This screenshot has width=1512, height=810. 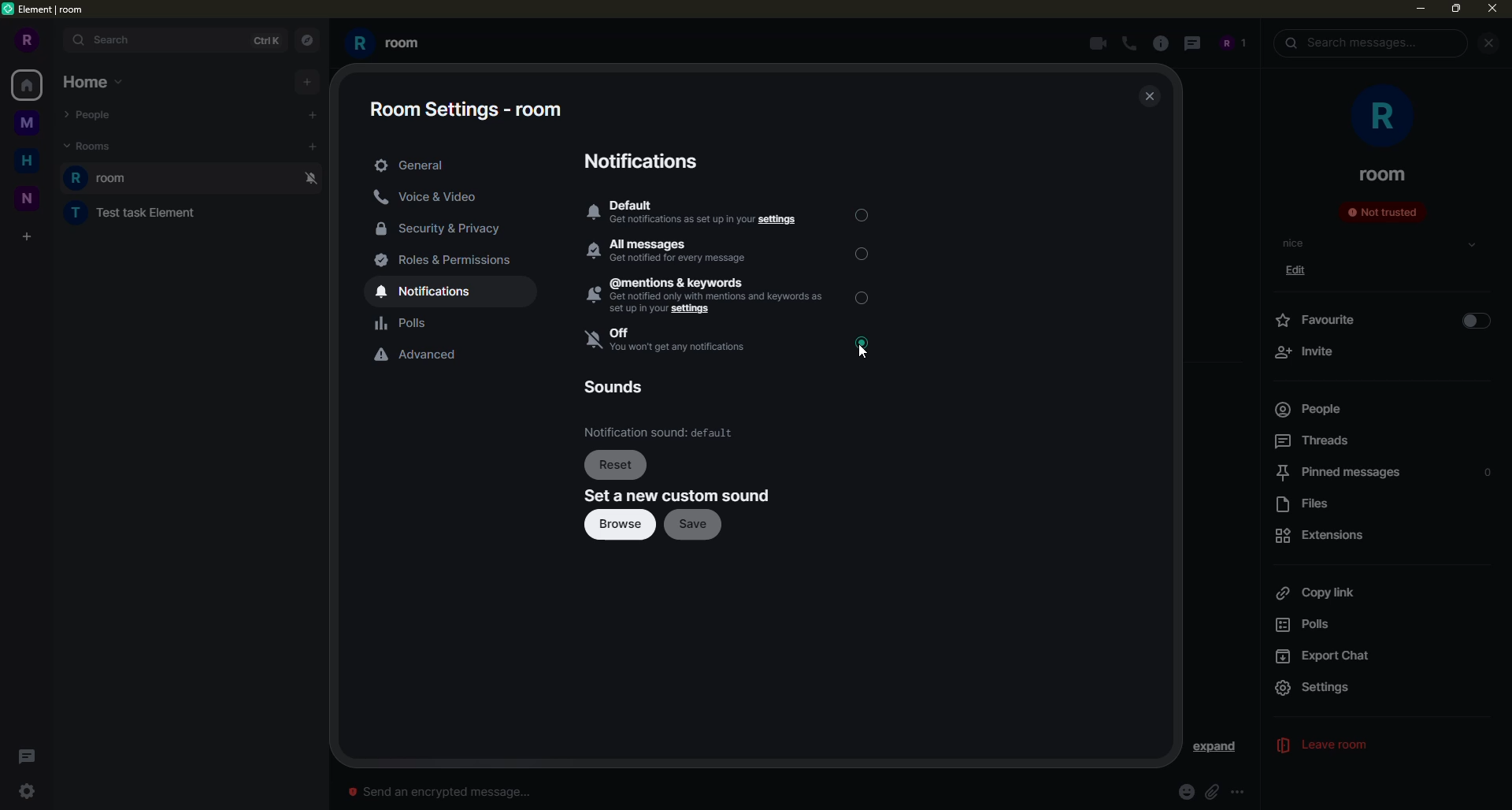 I want to click on off, so click(x=669, y=341).